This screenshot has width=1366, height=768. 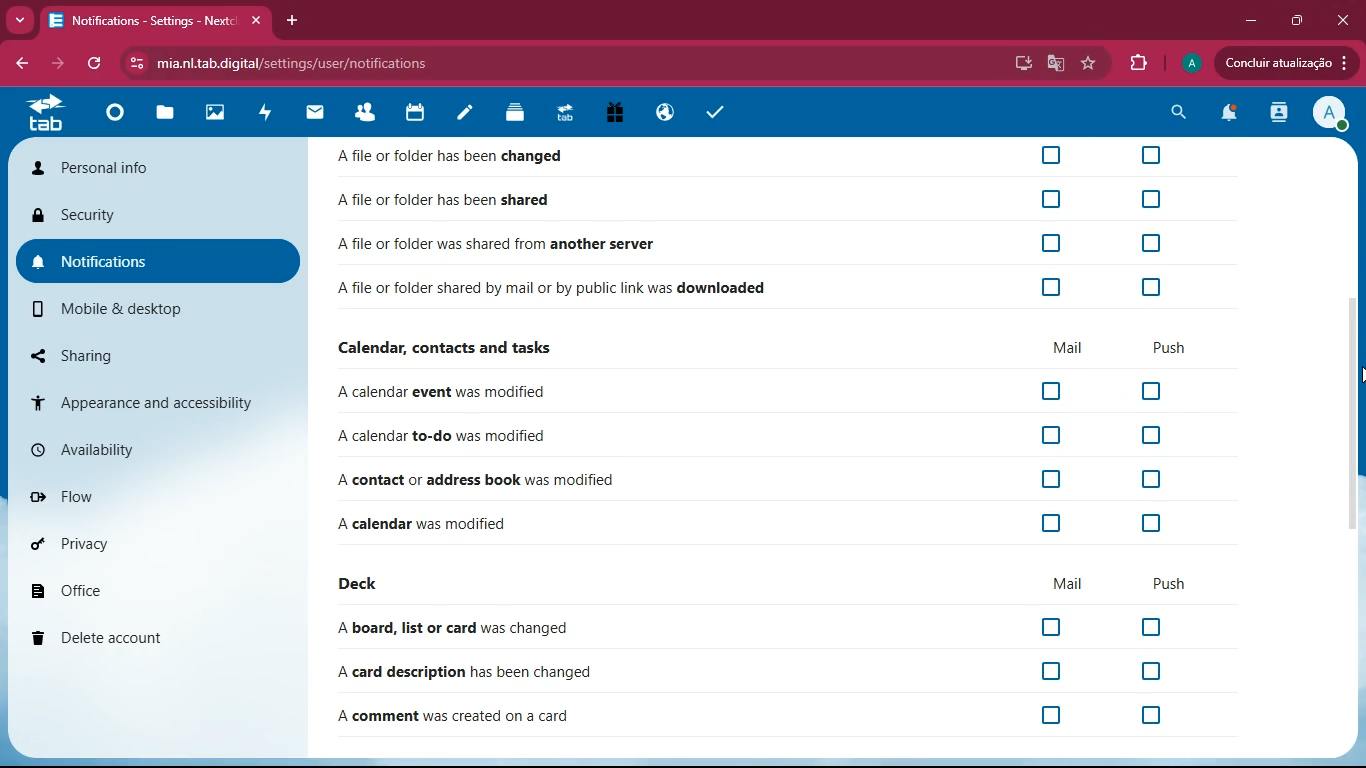 What do you see at coordinates (450, 204) in the screenshot?
I see `A file or folder has been shared` at bounding box center [450, 204].